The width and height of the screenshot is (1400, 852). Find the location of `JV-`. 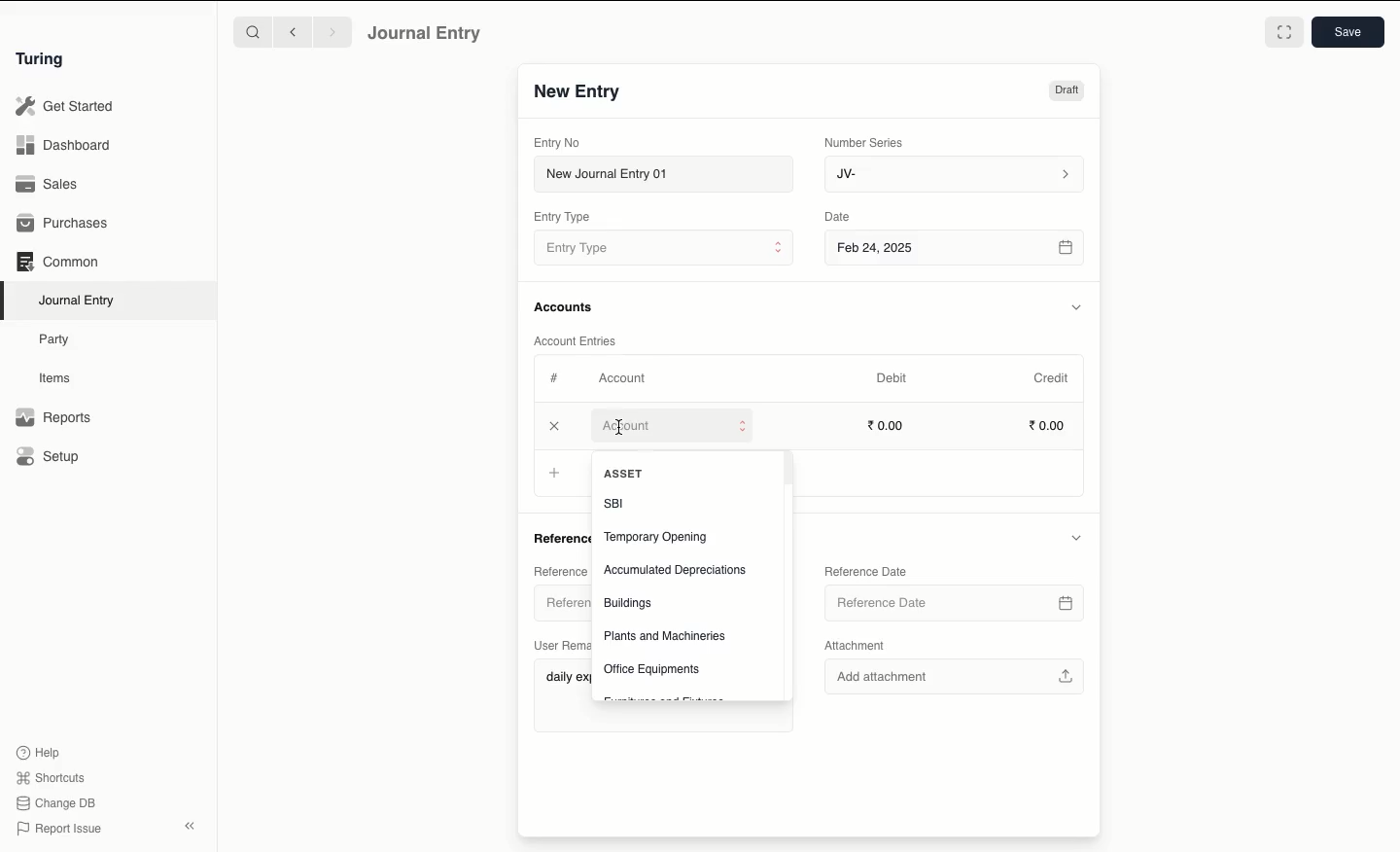

JV- is located at coordinates (956, 175).